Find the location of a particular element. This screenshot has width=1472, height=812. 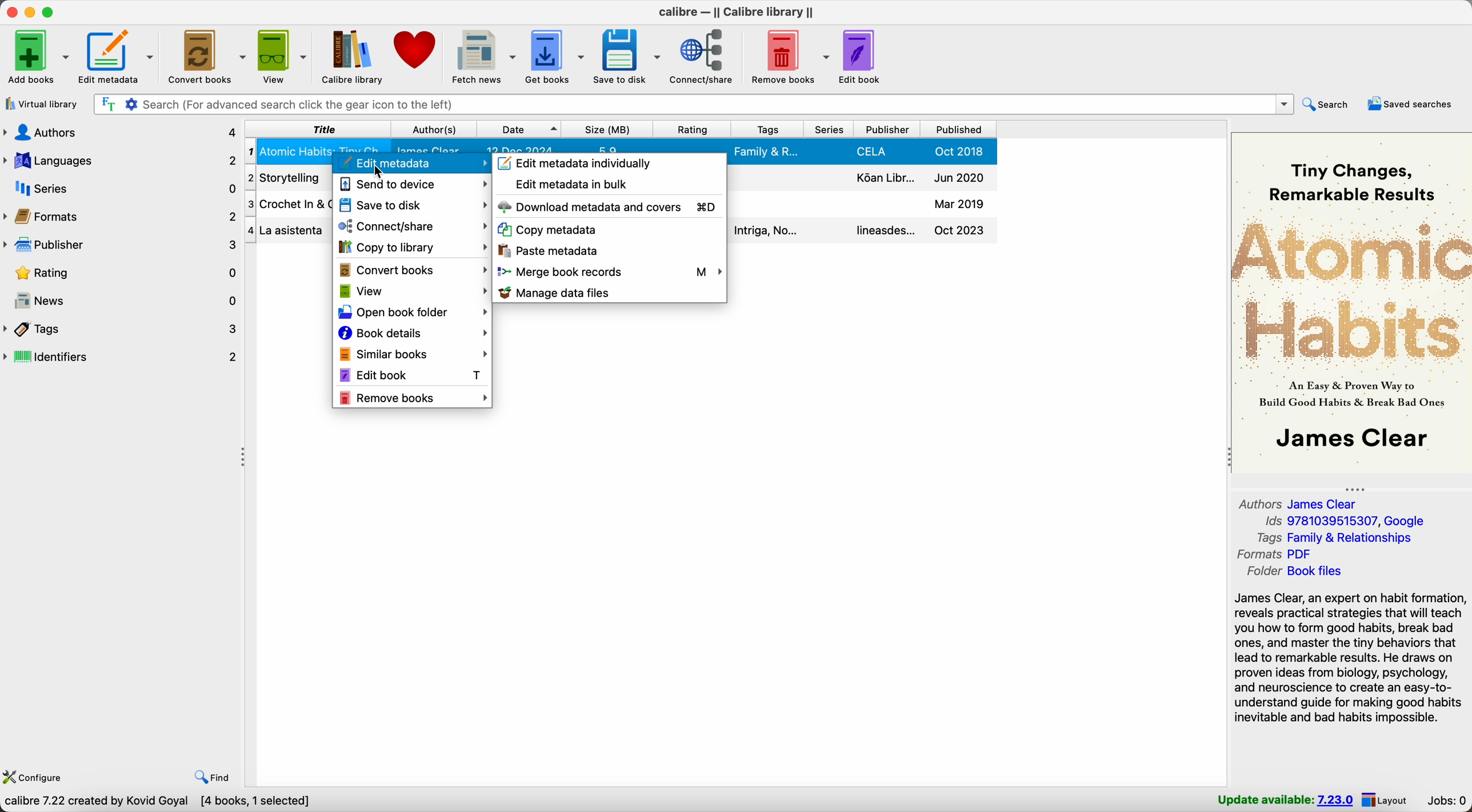

remove books is located at coordinates (789, 57).